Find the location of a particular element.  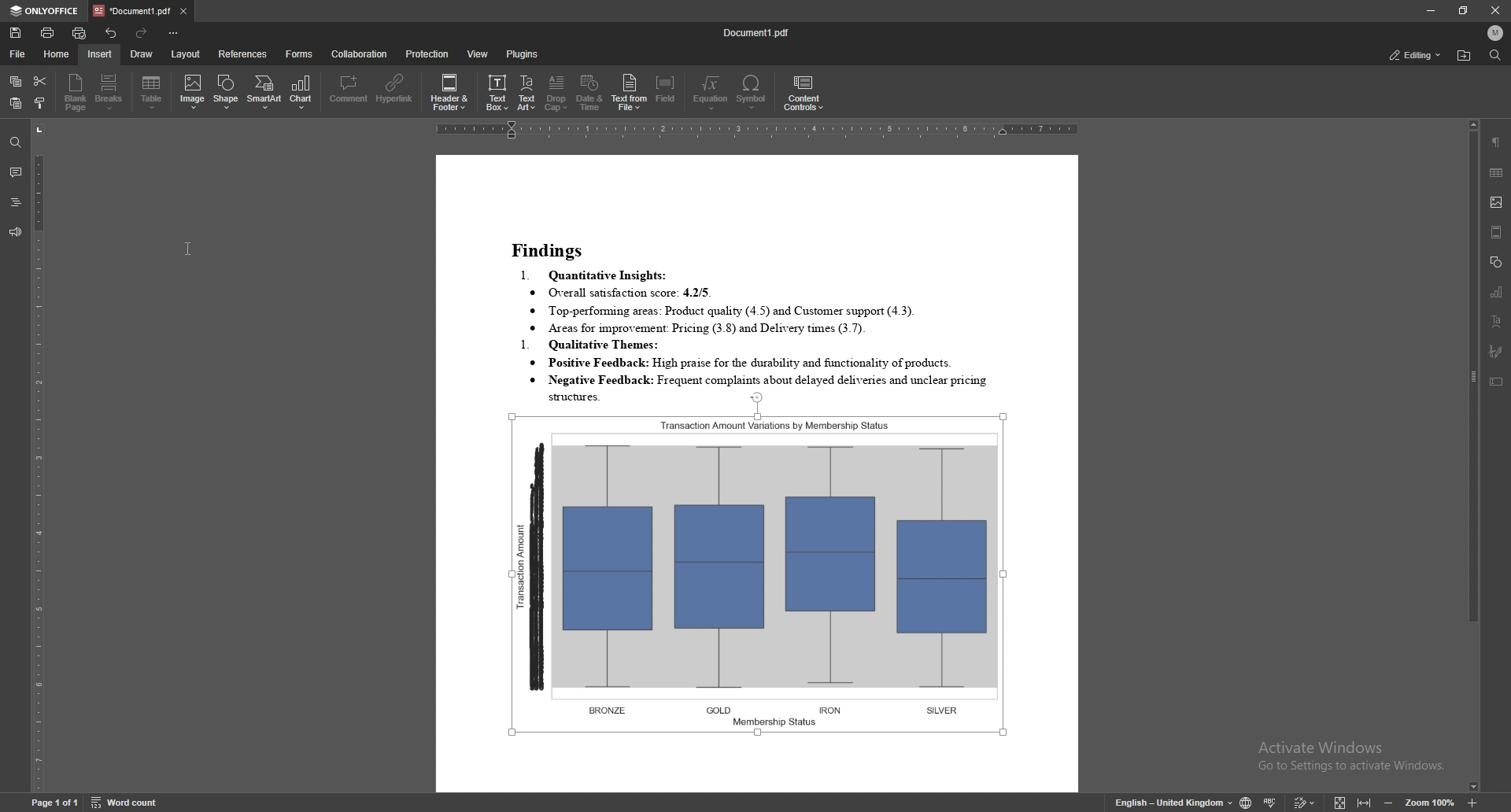

horizontal scale is located at coordinates (758, 131).